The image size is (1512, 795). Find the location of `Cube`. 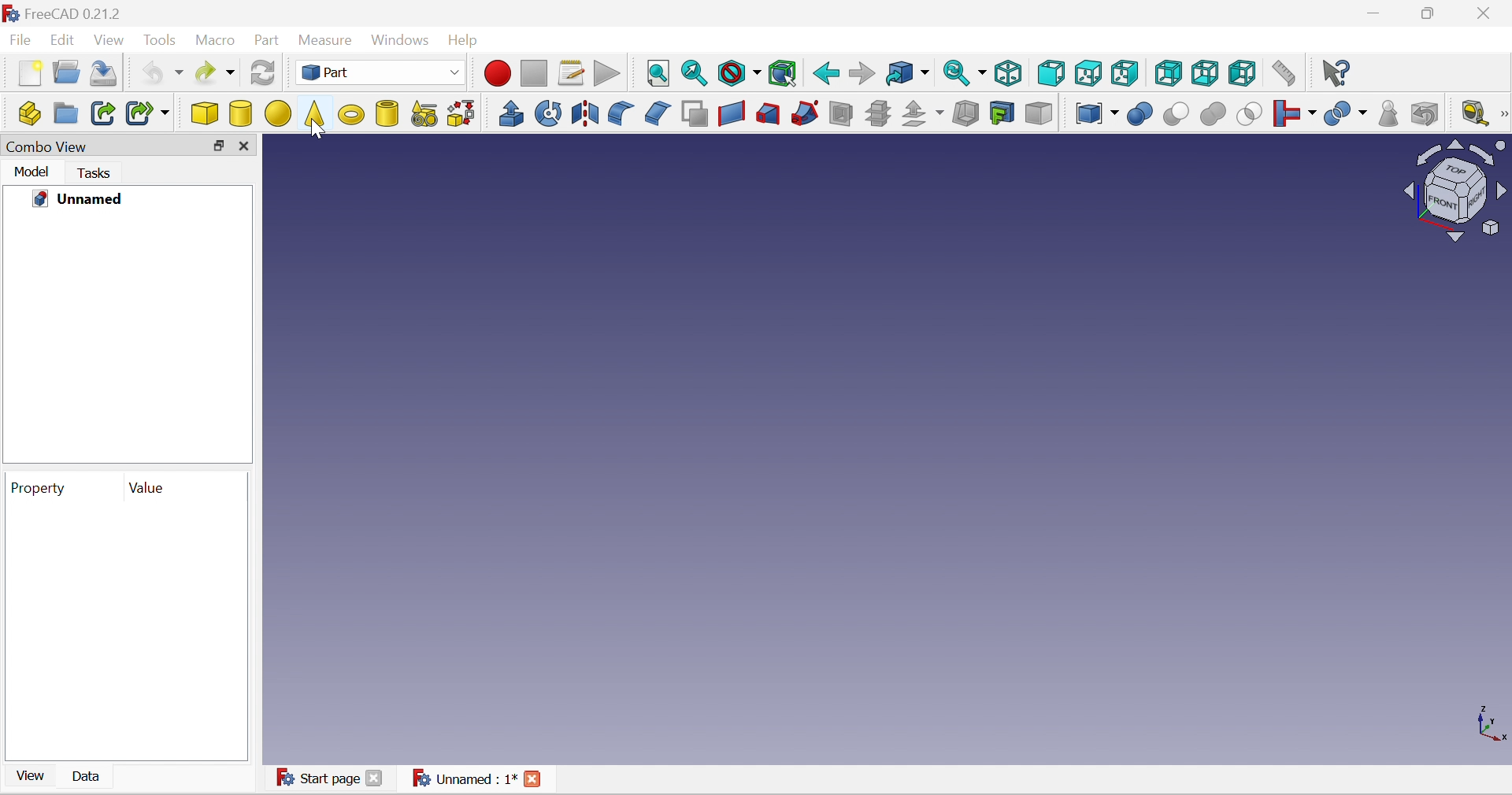

Cube is located at coordinates (203, 113).